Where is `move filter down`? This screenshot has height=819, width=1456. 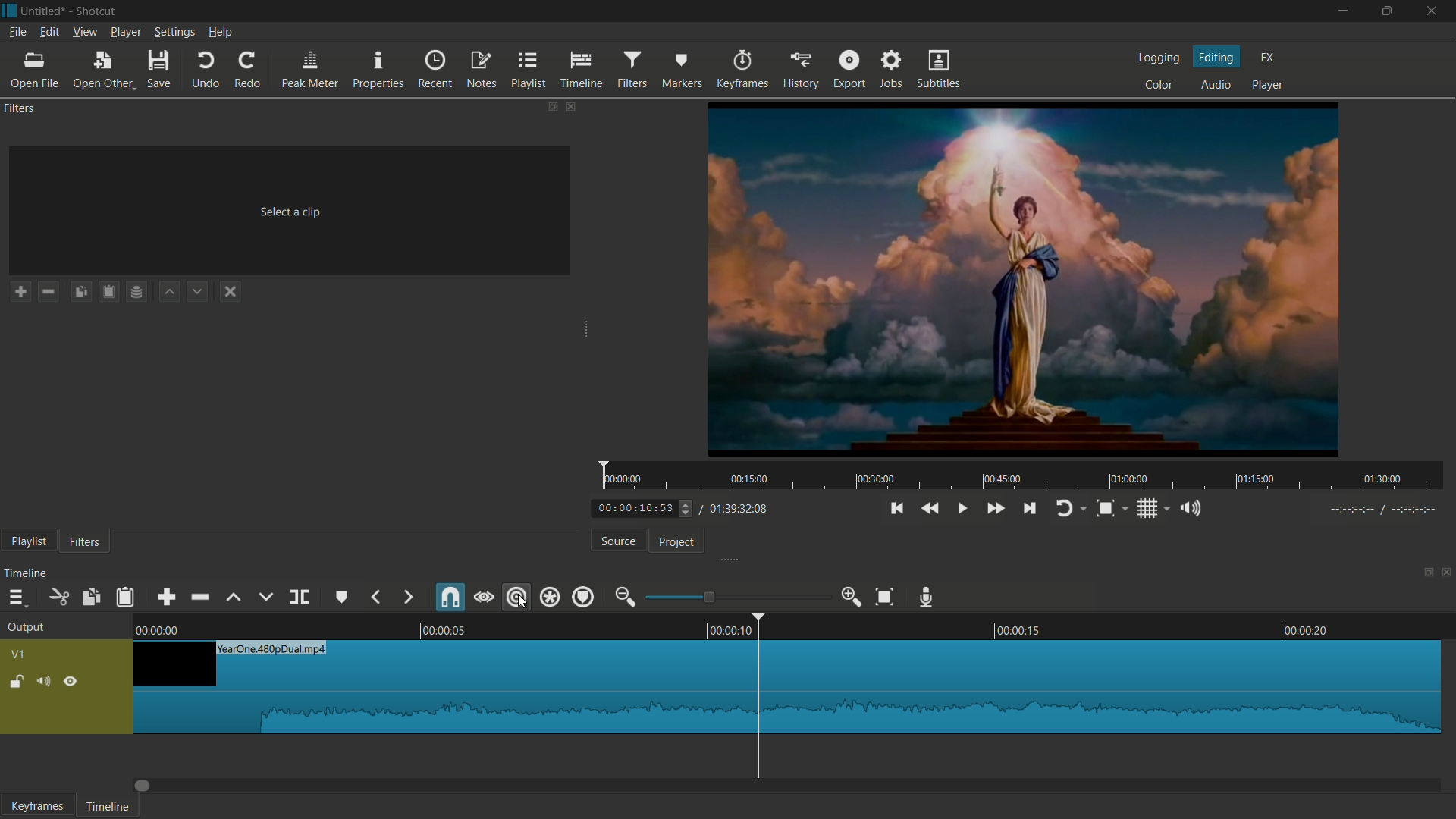
move filter down is located at coordinates (199, 290).